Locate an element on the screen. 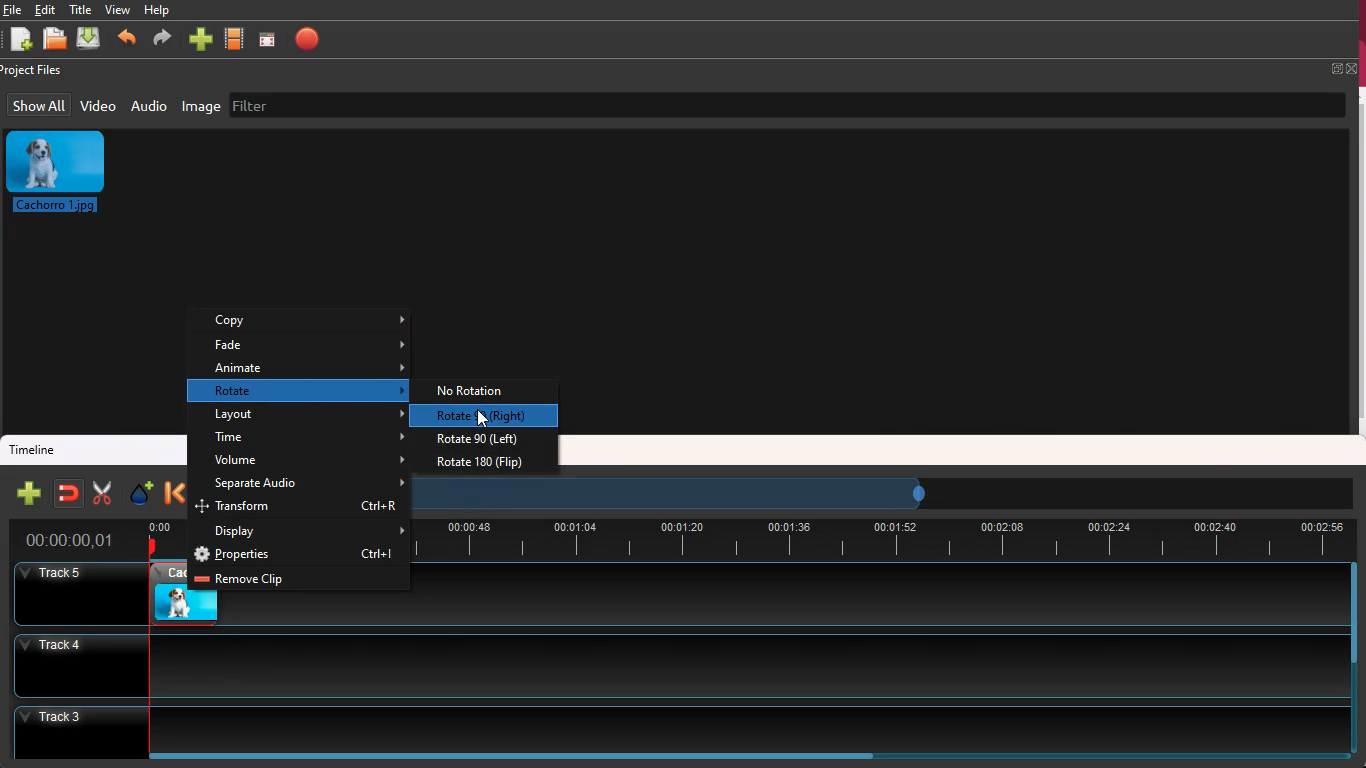 This screenshot has height=768, width=1366. new is located at coordinates (30, 494).